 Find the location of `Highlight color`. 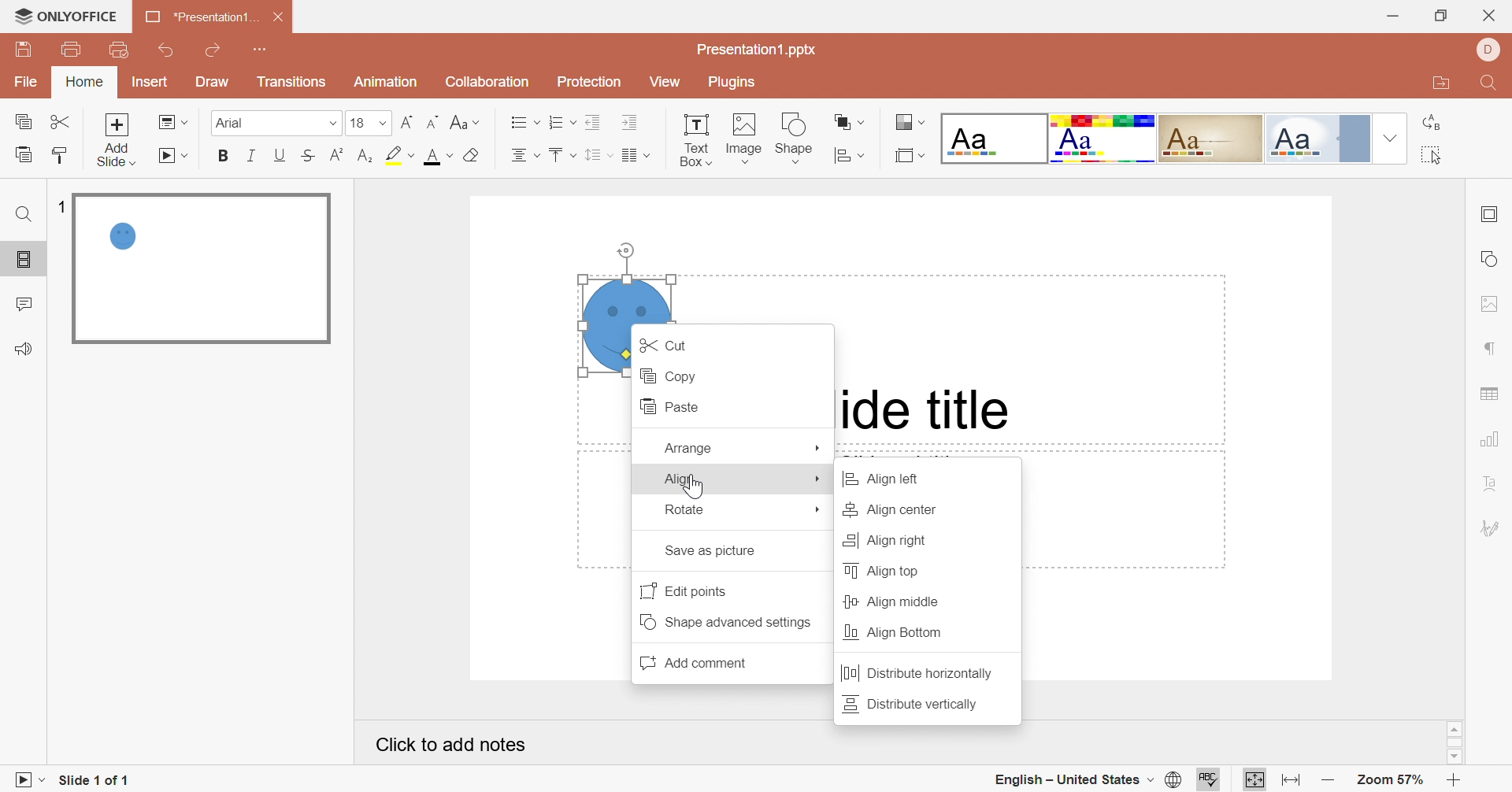

Highlight color is located at coordinates (398, 154).